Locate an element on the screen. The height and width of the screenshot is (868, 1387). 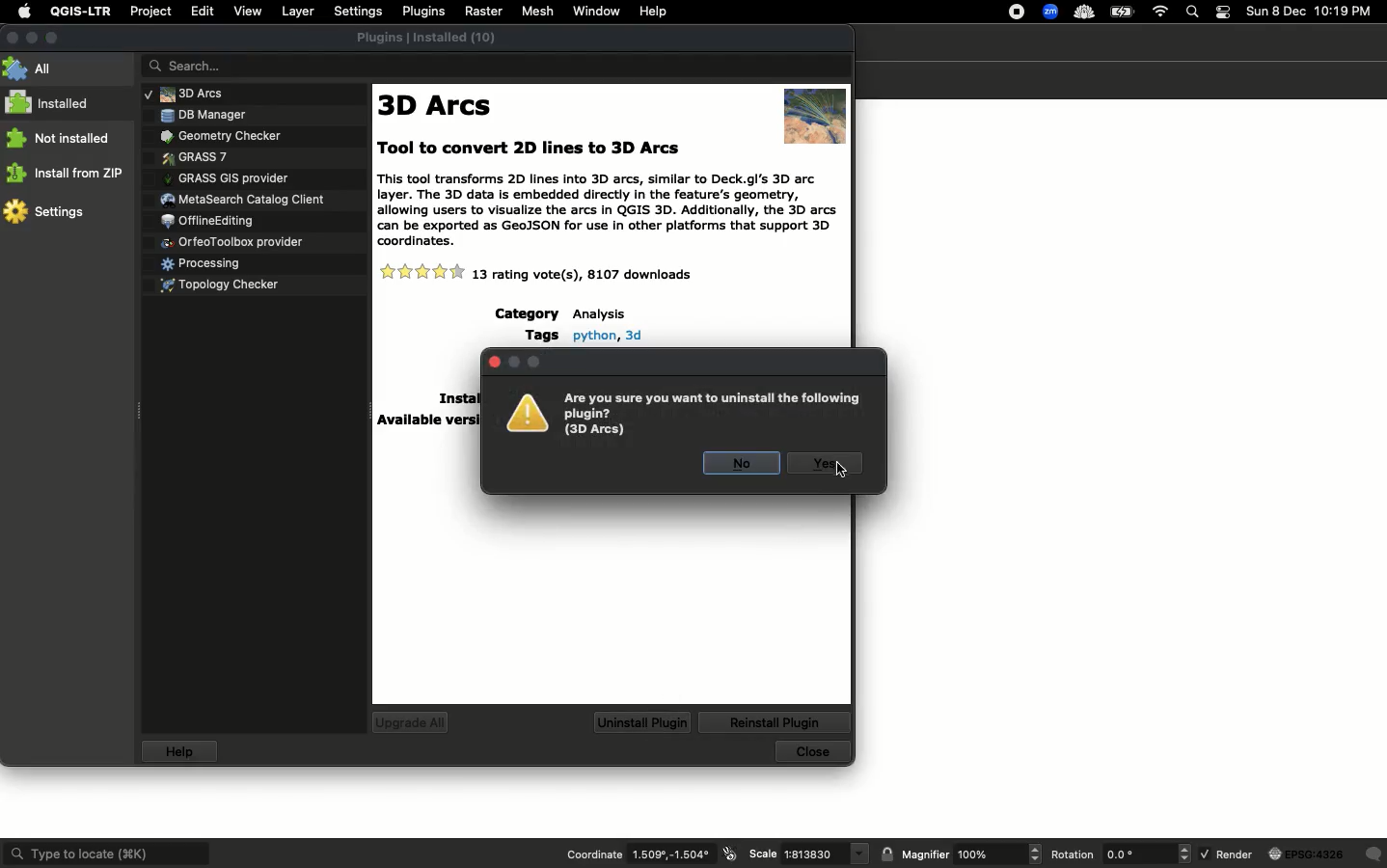
Settings is located at coordinates (47, 213).